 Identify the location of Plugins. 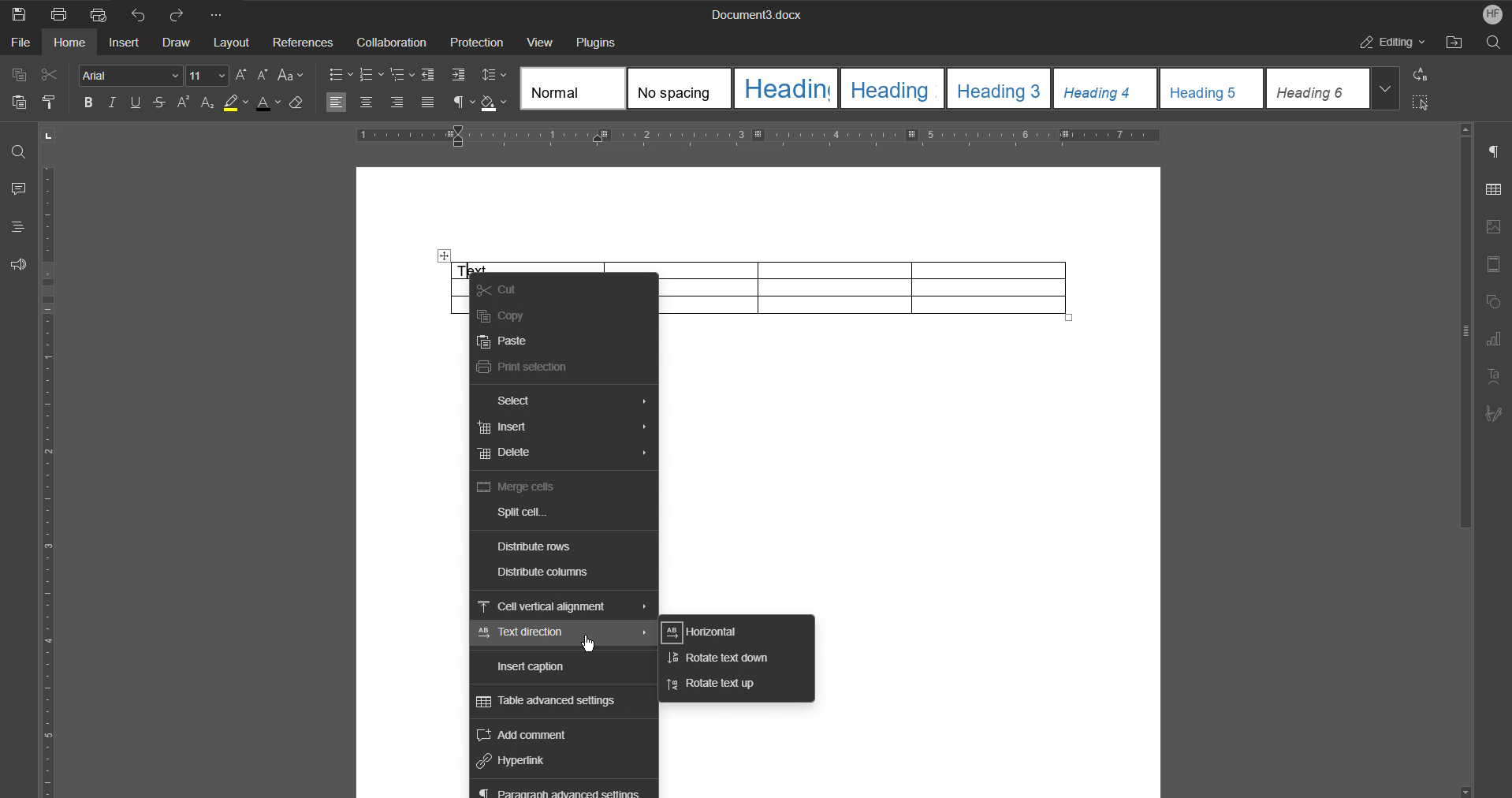
(598, 40).